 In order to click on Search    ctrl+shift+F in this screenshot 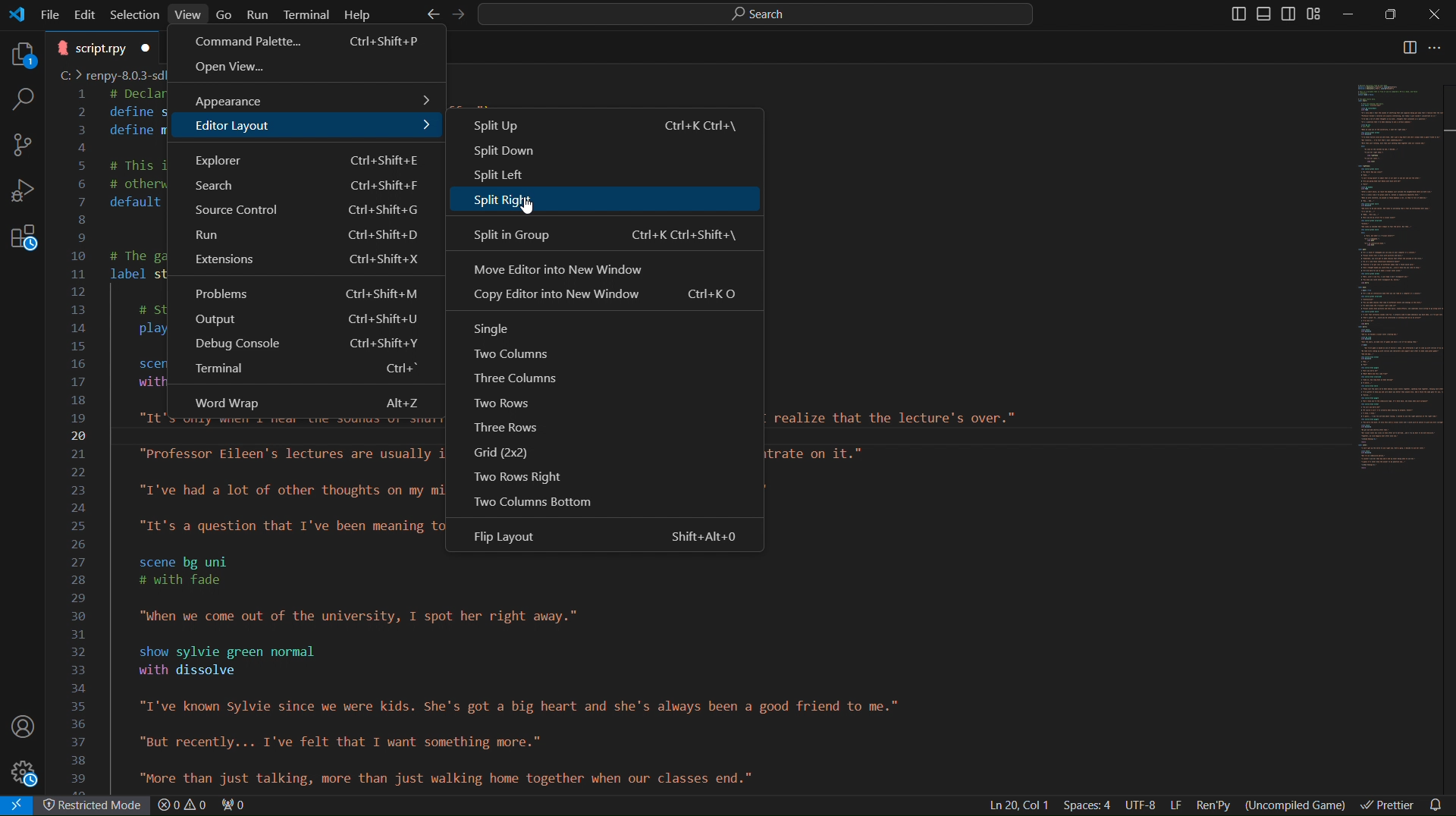, I will do `click(303, 187)`.